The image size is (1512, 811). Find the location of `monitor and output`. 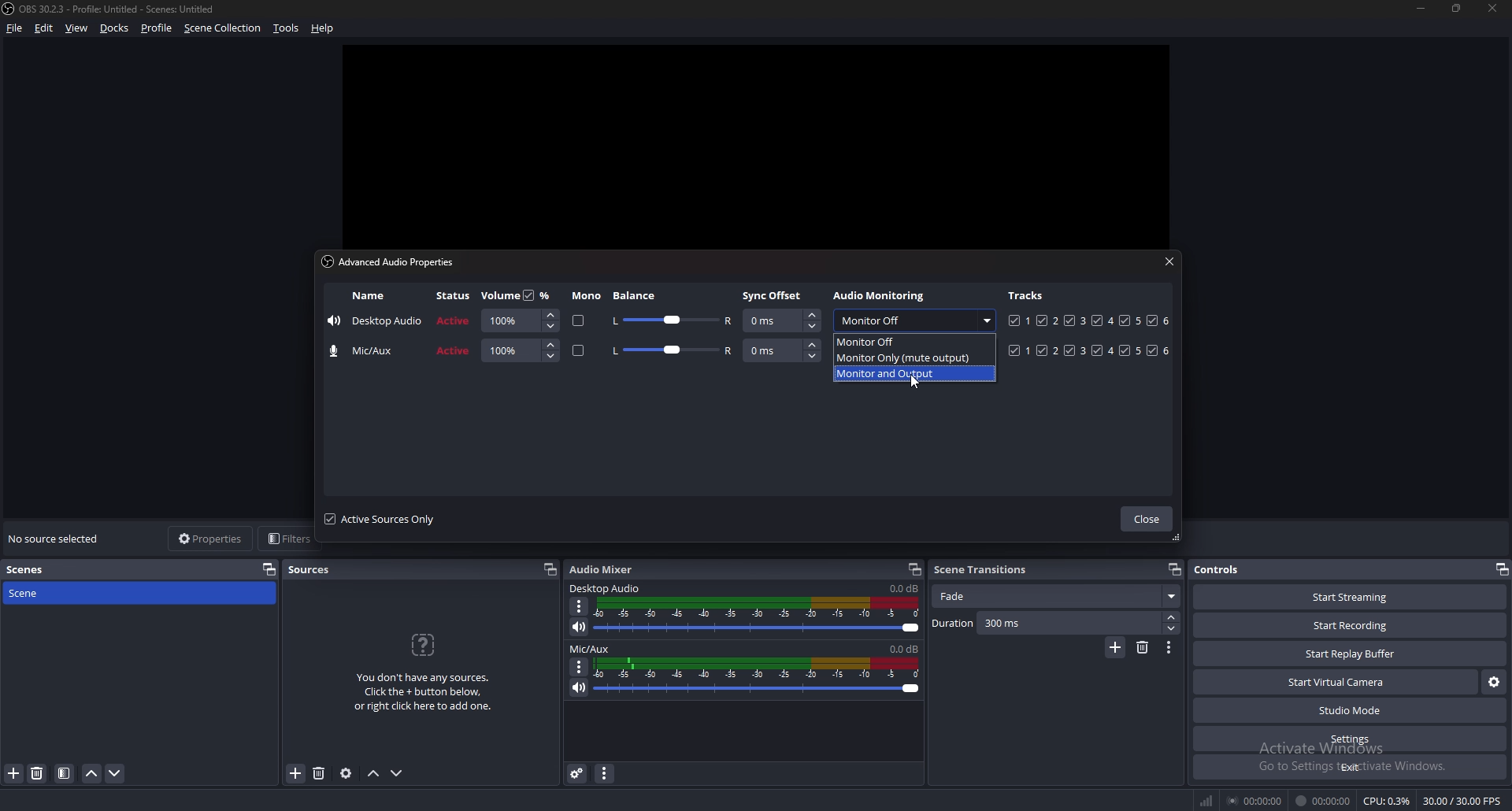

monitor and output is located at coordinates (913, 374).